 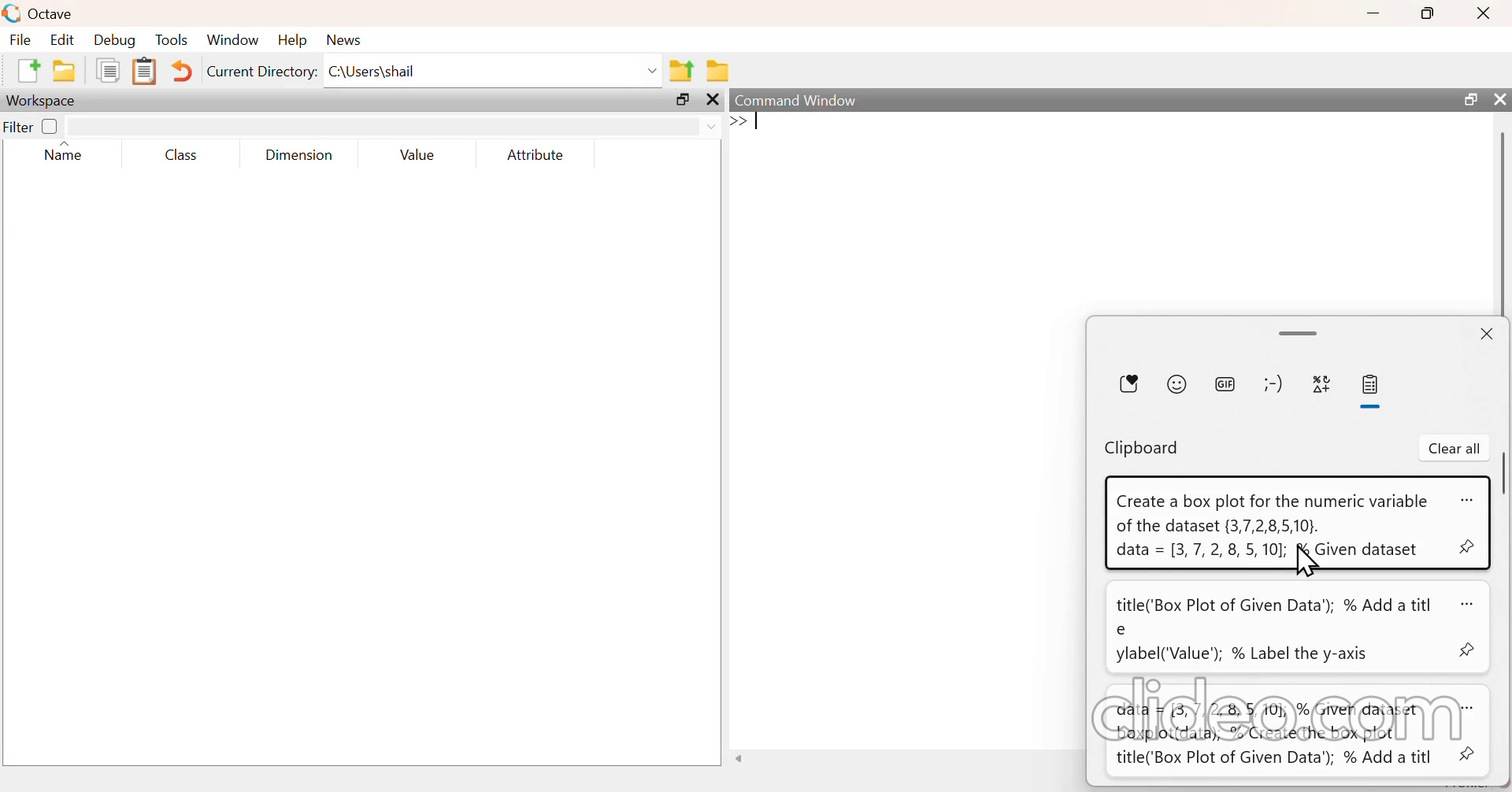 I want to click on value, so click(x=415, y=154).